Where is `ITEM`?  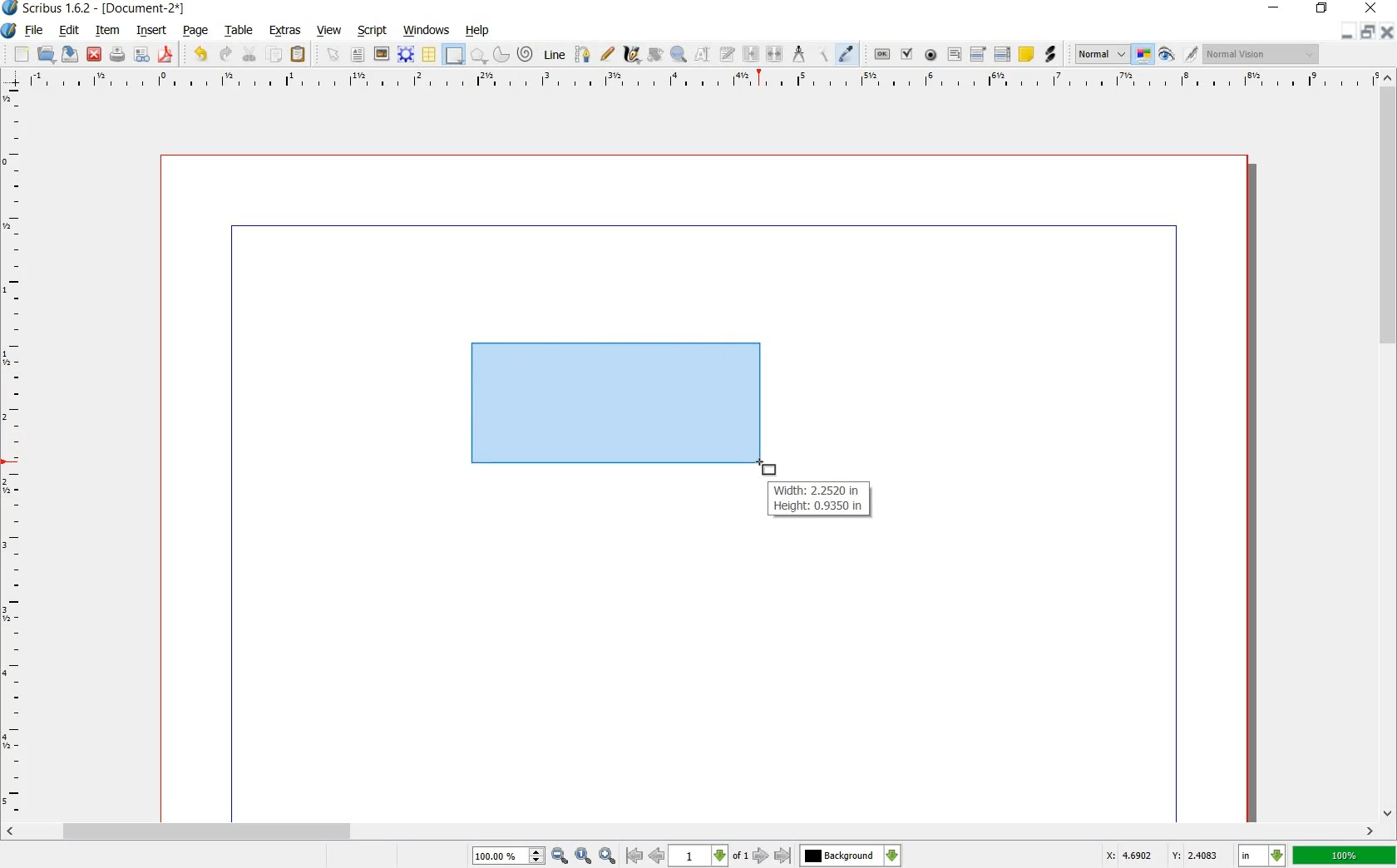 ITEM is located at coordinates (106, 31).